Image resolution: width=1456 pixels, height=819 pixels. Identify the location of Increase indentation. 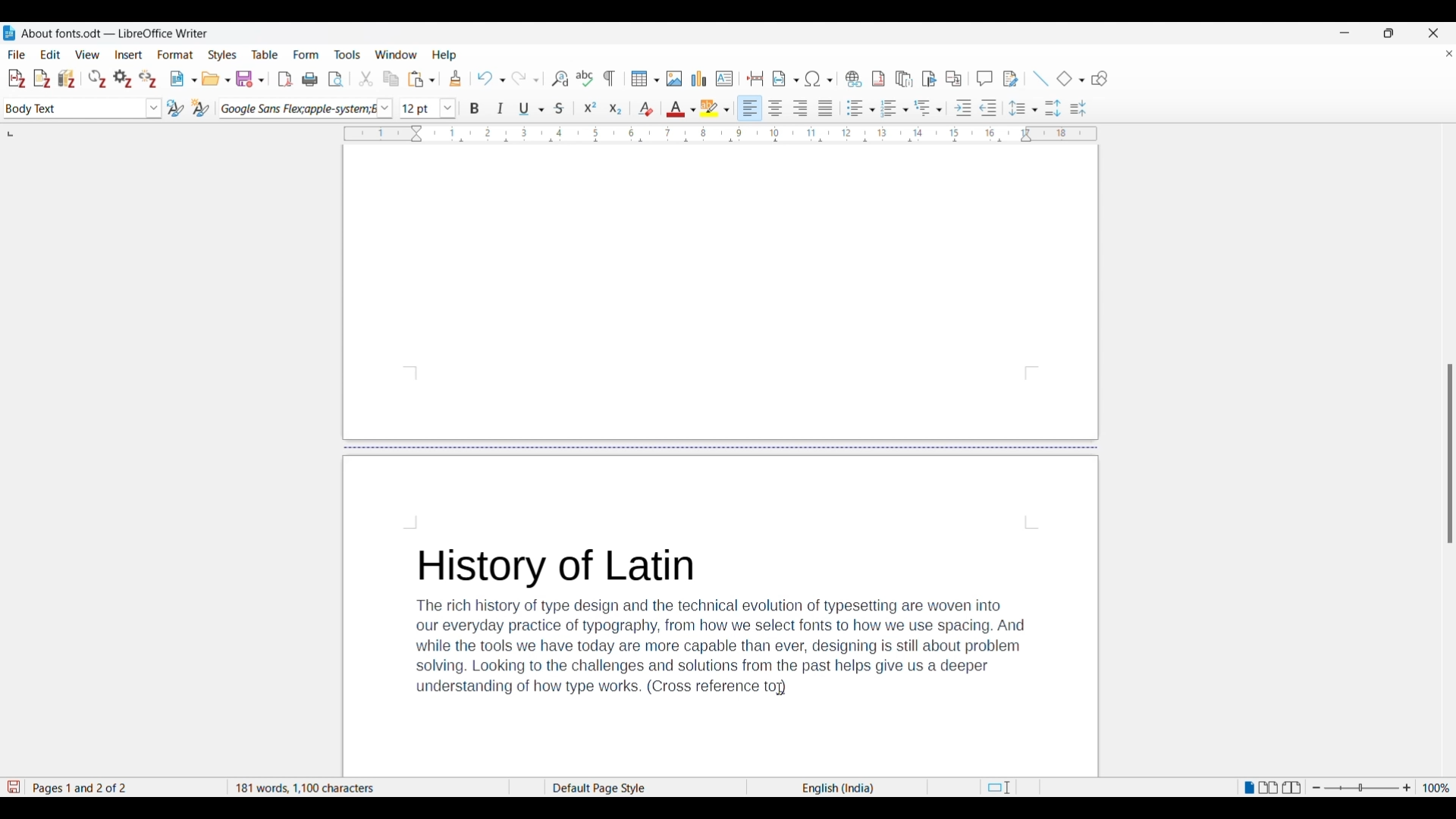
(963, 108).